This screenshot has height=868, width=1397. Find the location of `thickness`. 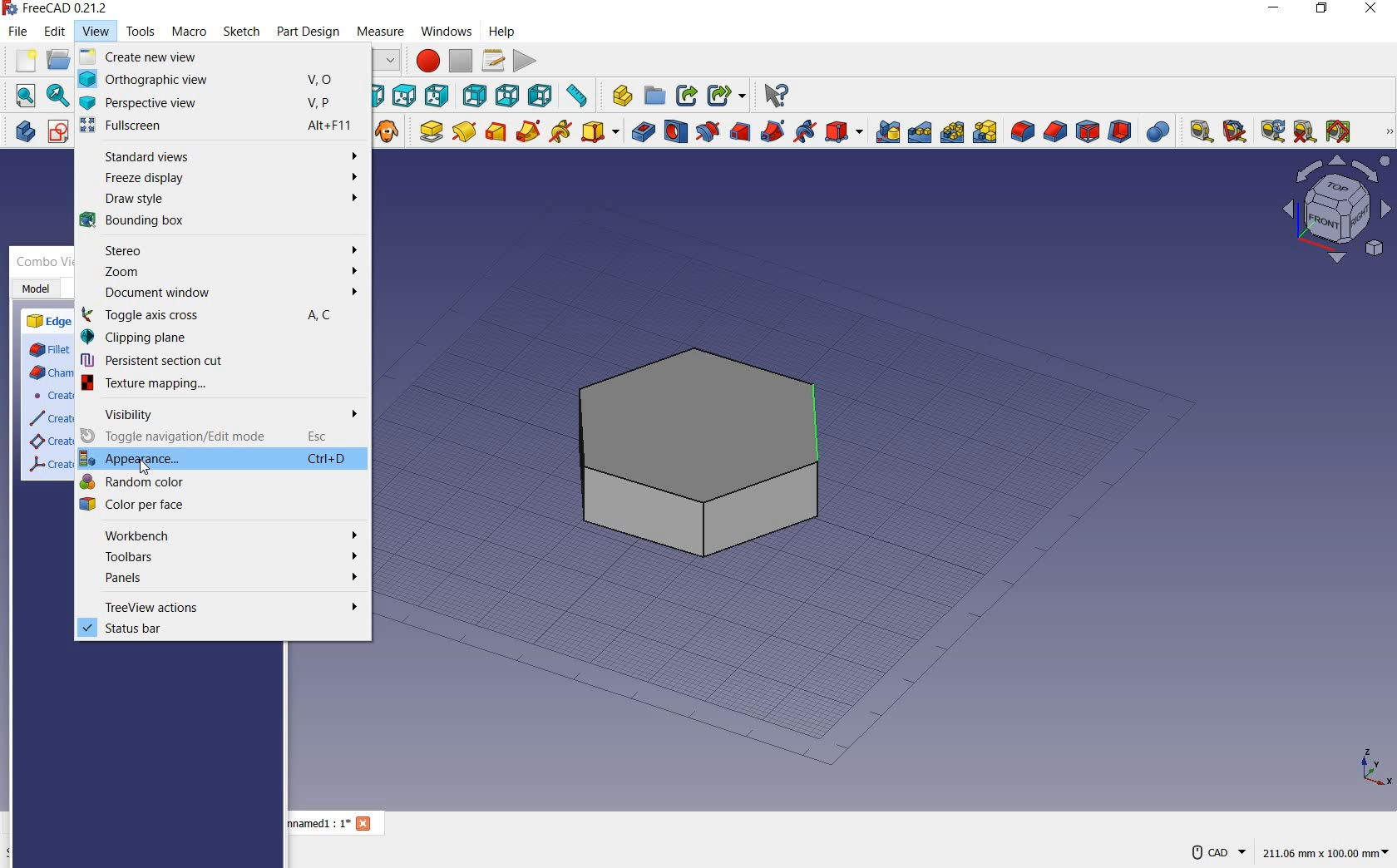

thickness is located at coordinates (1121, 133).